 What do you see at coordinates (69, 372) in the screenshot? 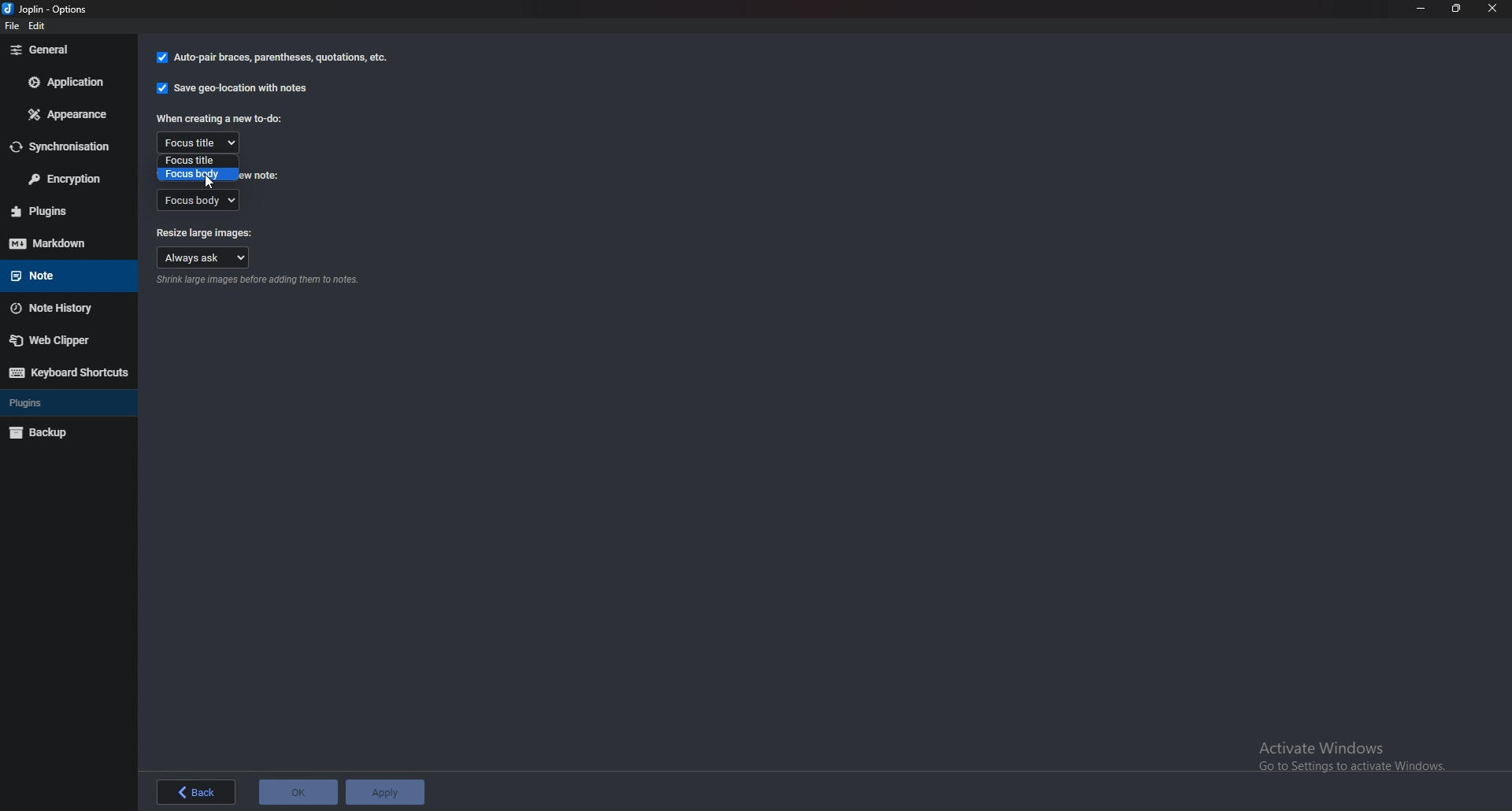
I see `Keyboard shortcuts` at bounding box center [69, 372].